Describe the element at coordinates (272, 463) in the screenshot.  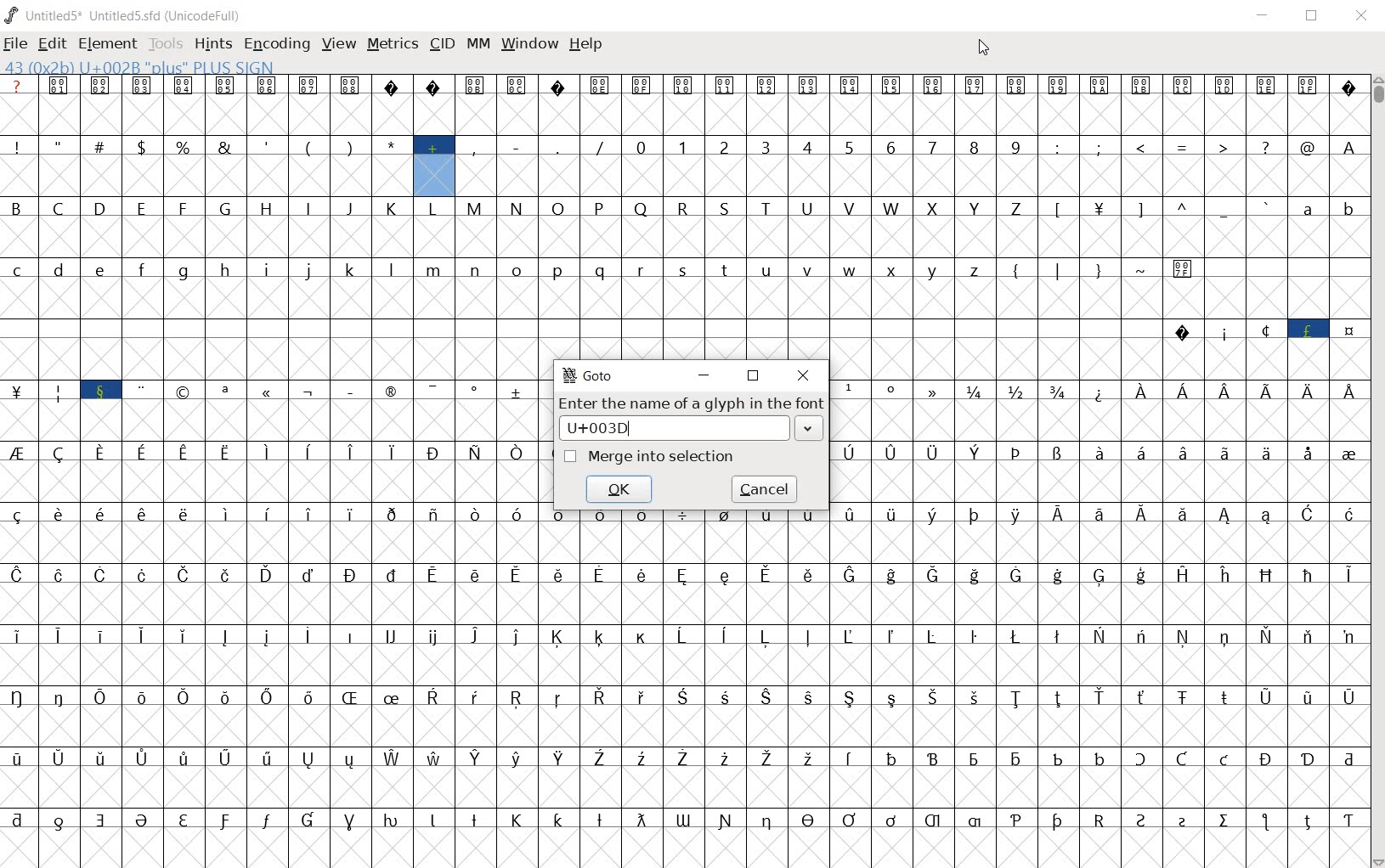
I see `glyphs` at that location.